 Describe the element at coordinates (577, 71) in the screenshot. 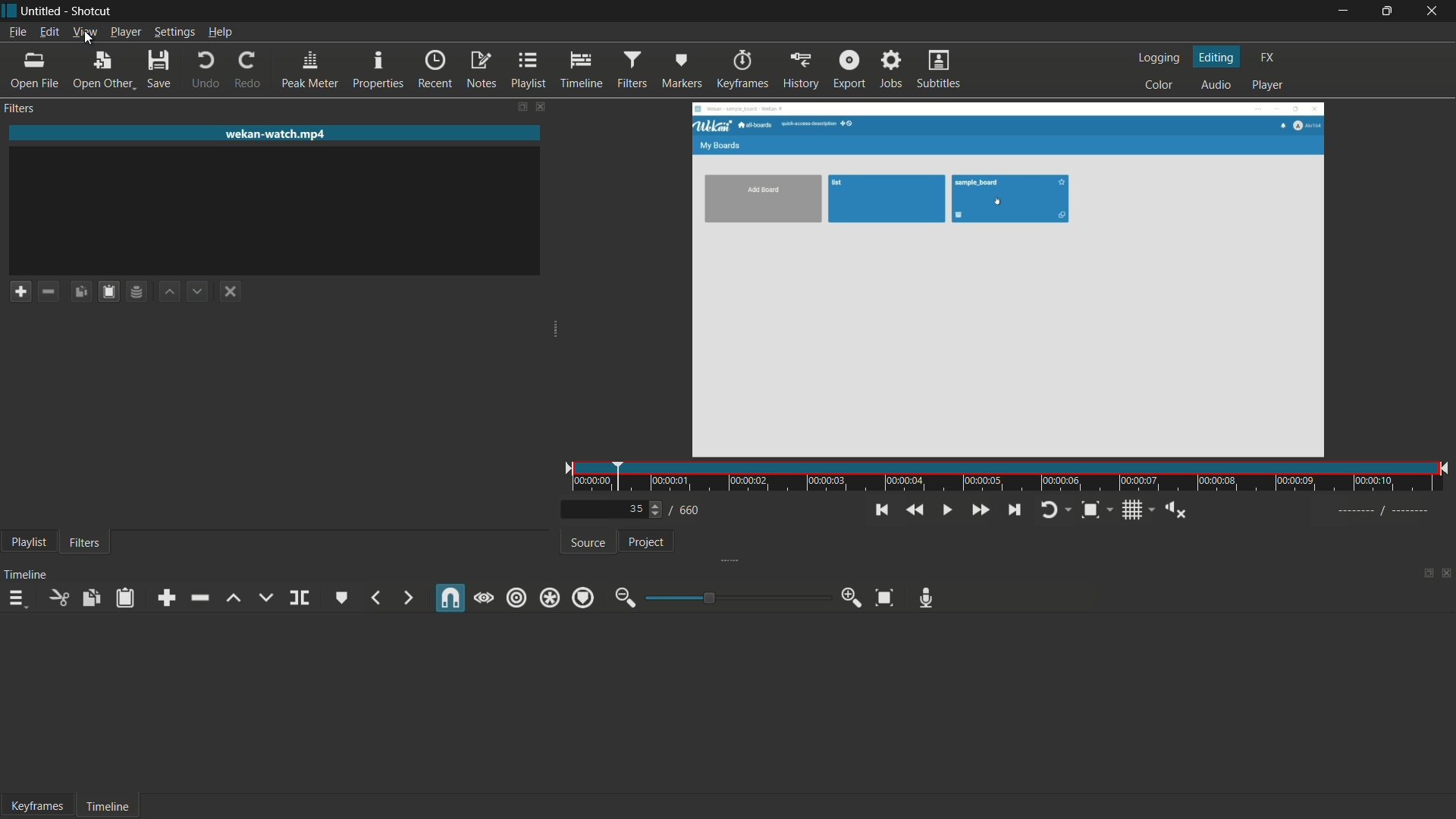

I see `timeline` at that location.